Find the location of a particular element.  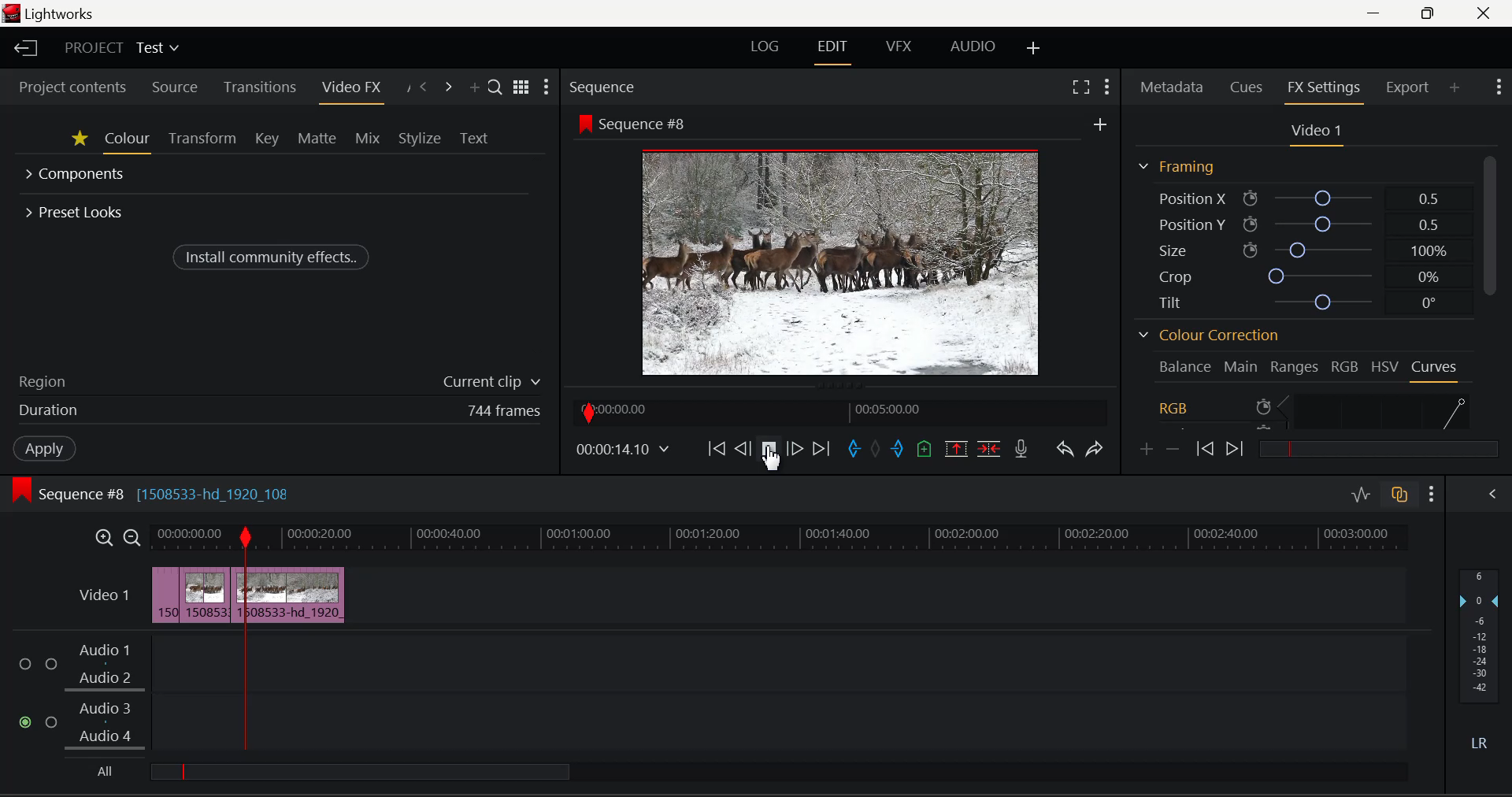

Previous Panel is located at coordinates (424, 86).